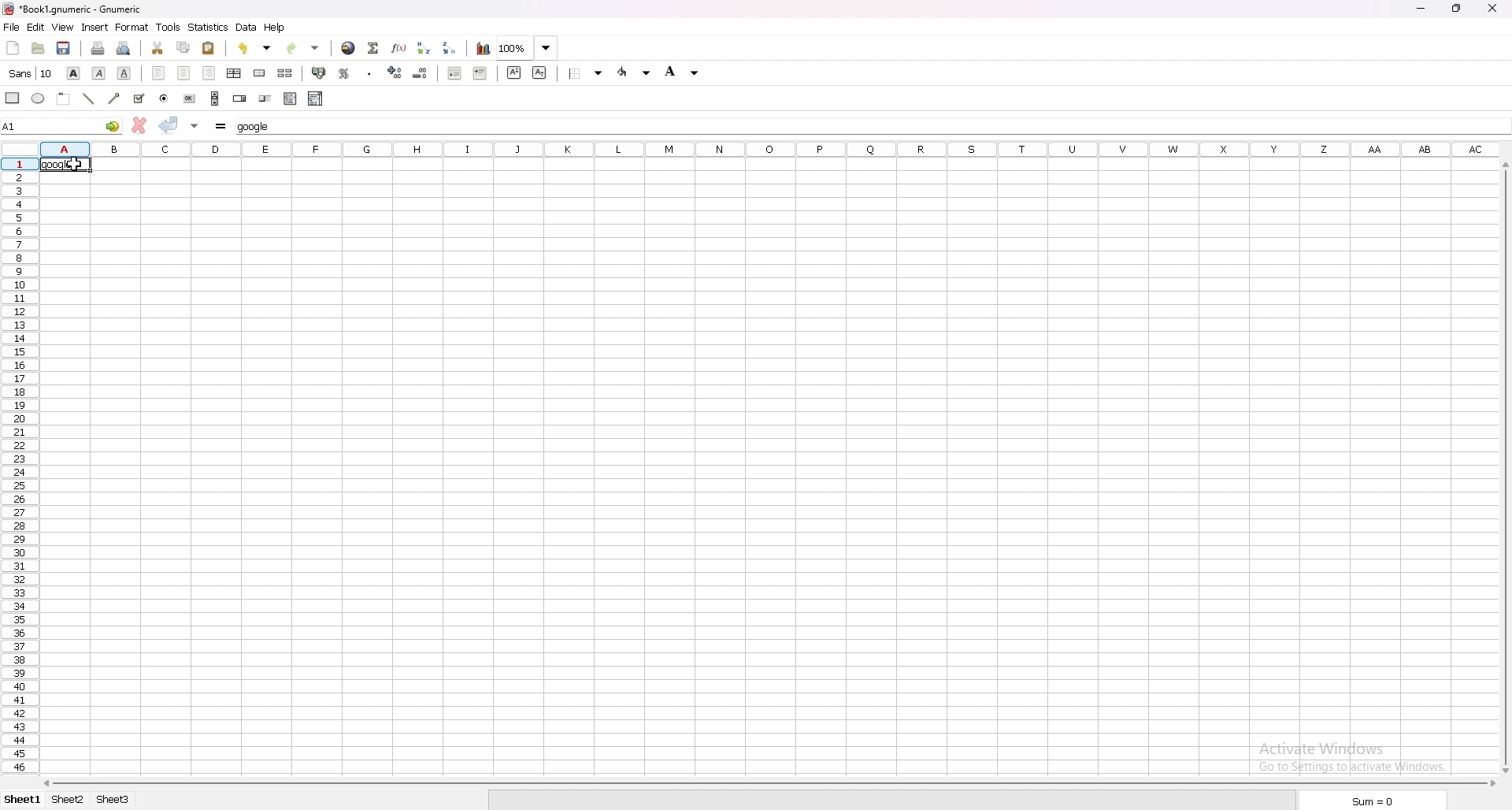  What do you see at coordinates (168, 98) in the screenshot?
I see `radio button` at bounding box center [168, 98].